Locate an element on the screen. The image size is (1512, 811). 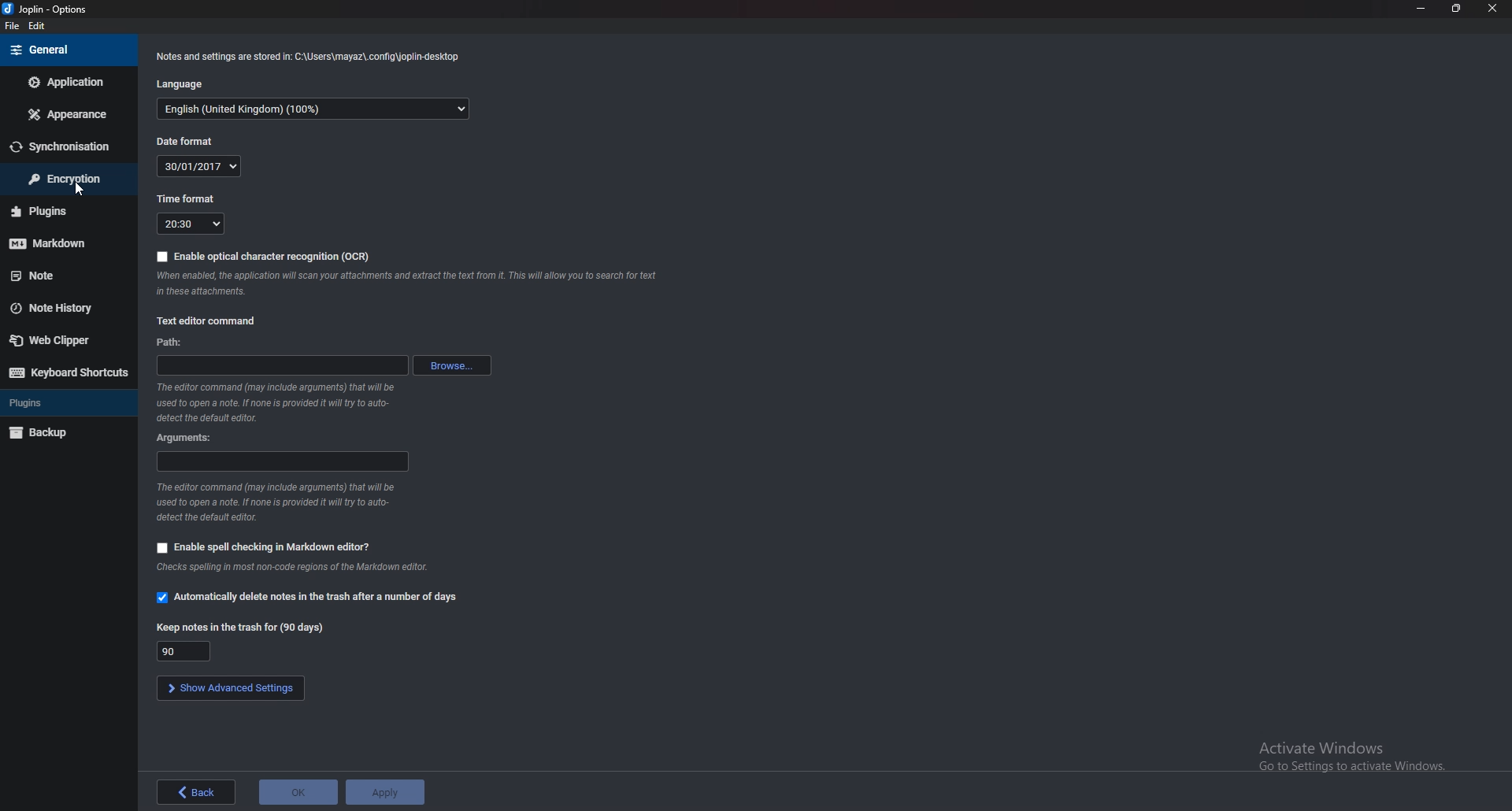
markdown is located at coordinates (63, 243).